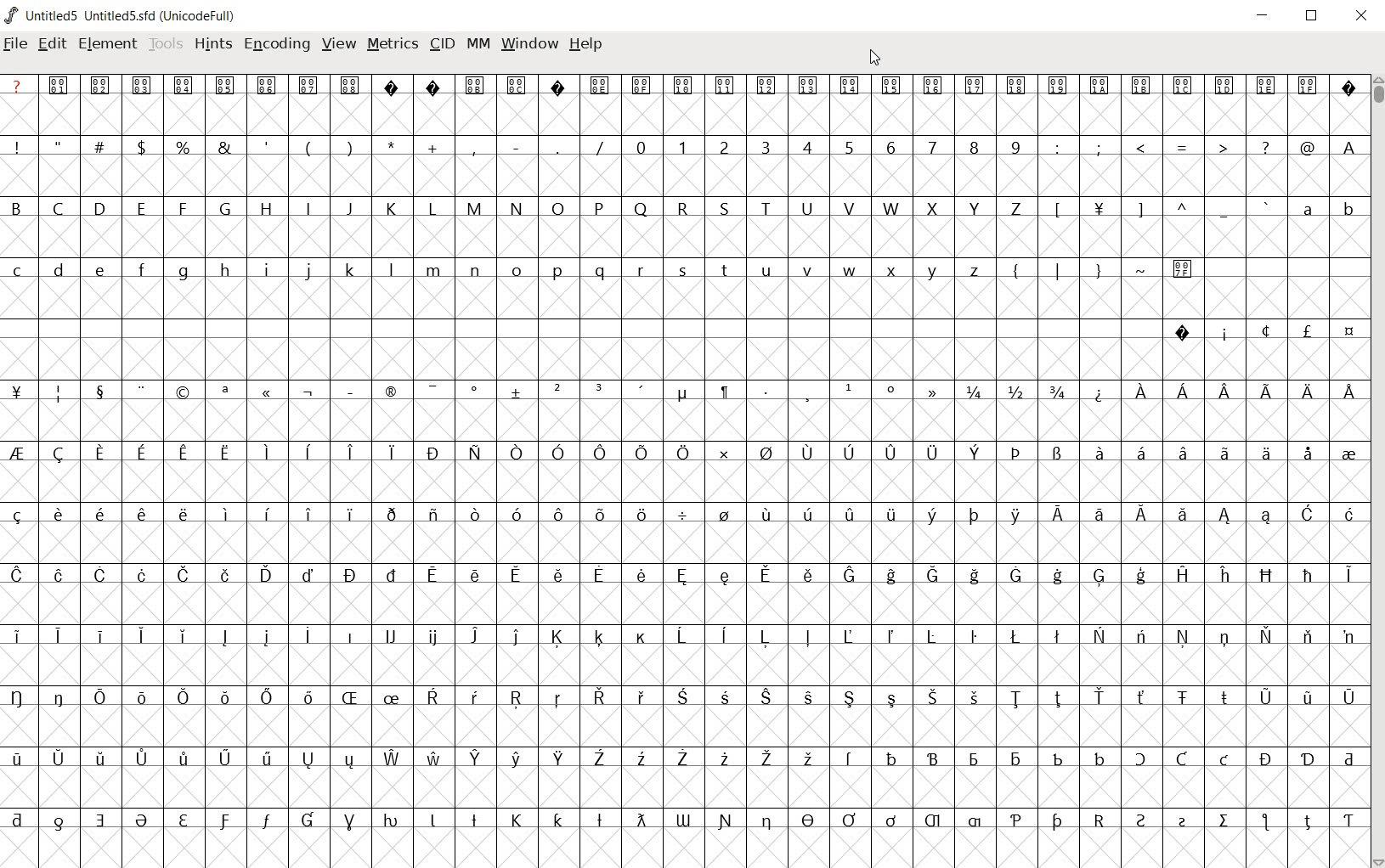 The image size is (1385, 868). What do you see at coordinates (56, 516) in the screenshot?
I see `Symbol` at bounding box center [56, 516].